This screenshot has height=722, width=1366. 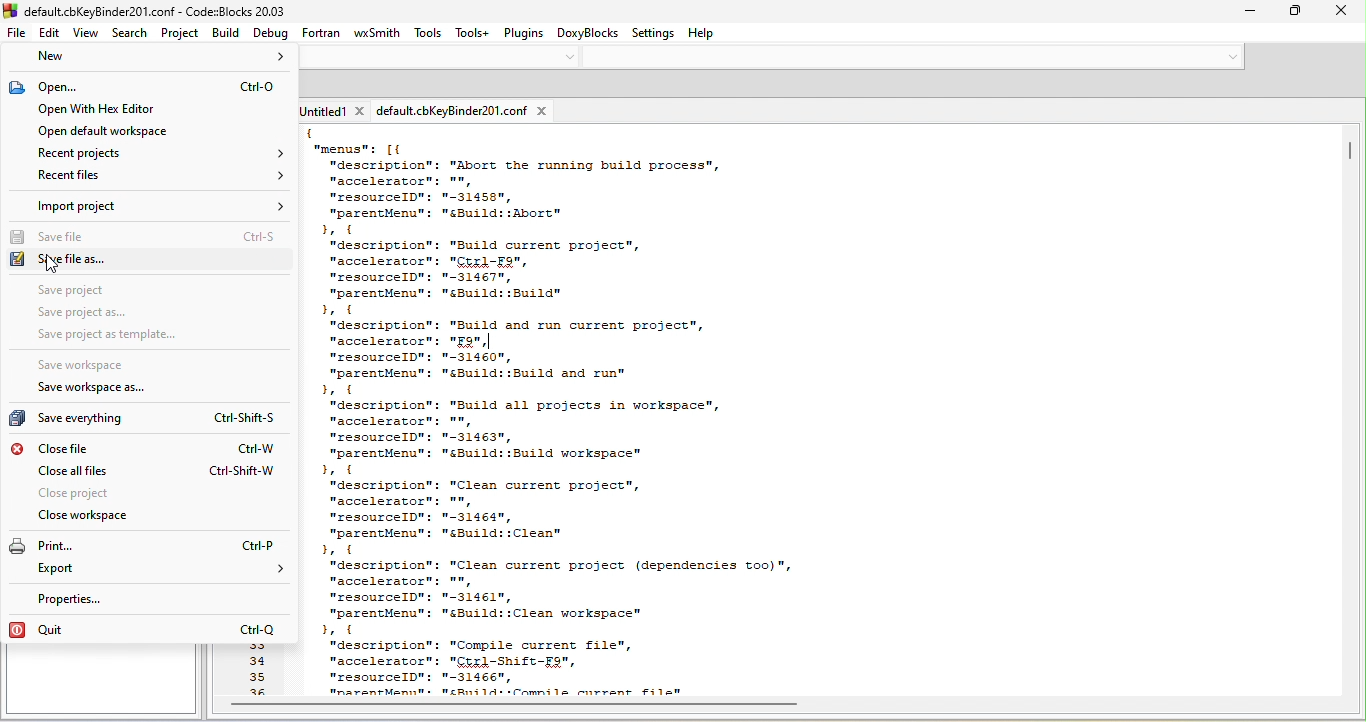 I want to click on debug, so click(x=273, y=33).